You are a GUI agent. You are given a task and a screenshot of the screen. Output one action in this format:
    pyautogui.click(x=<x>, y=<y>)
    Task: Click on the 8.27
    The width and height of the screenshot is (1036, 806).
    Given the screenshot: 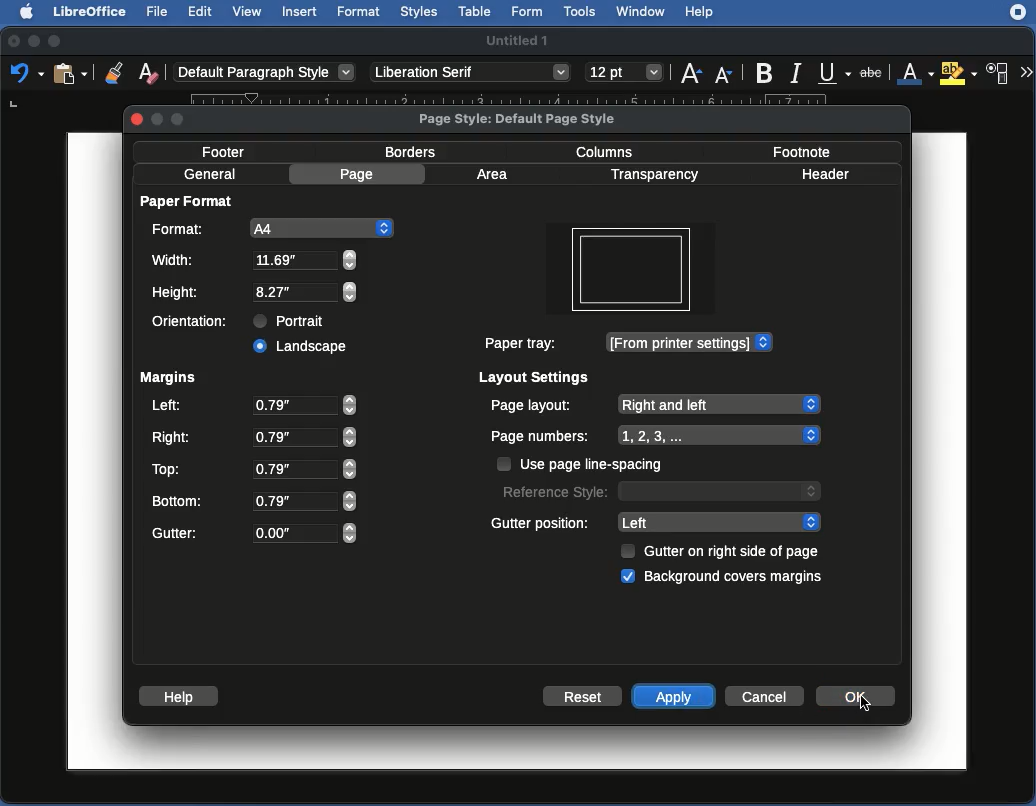 What is the action you would take?
    pyautogui.click(x=308, y=260)
    